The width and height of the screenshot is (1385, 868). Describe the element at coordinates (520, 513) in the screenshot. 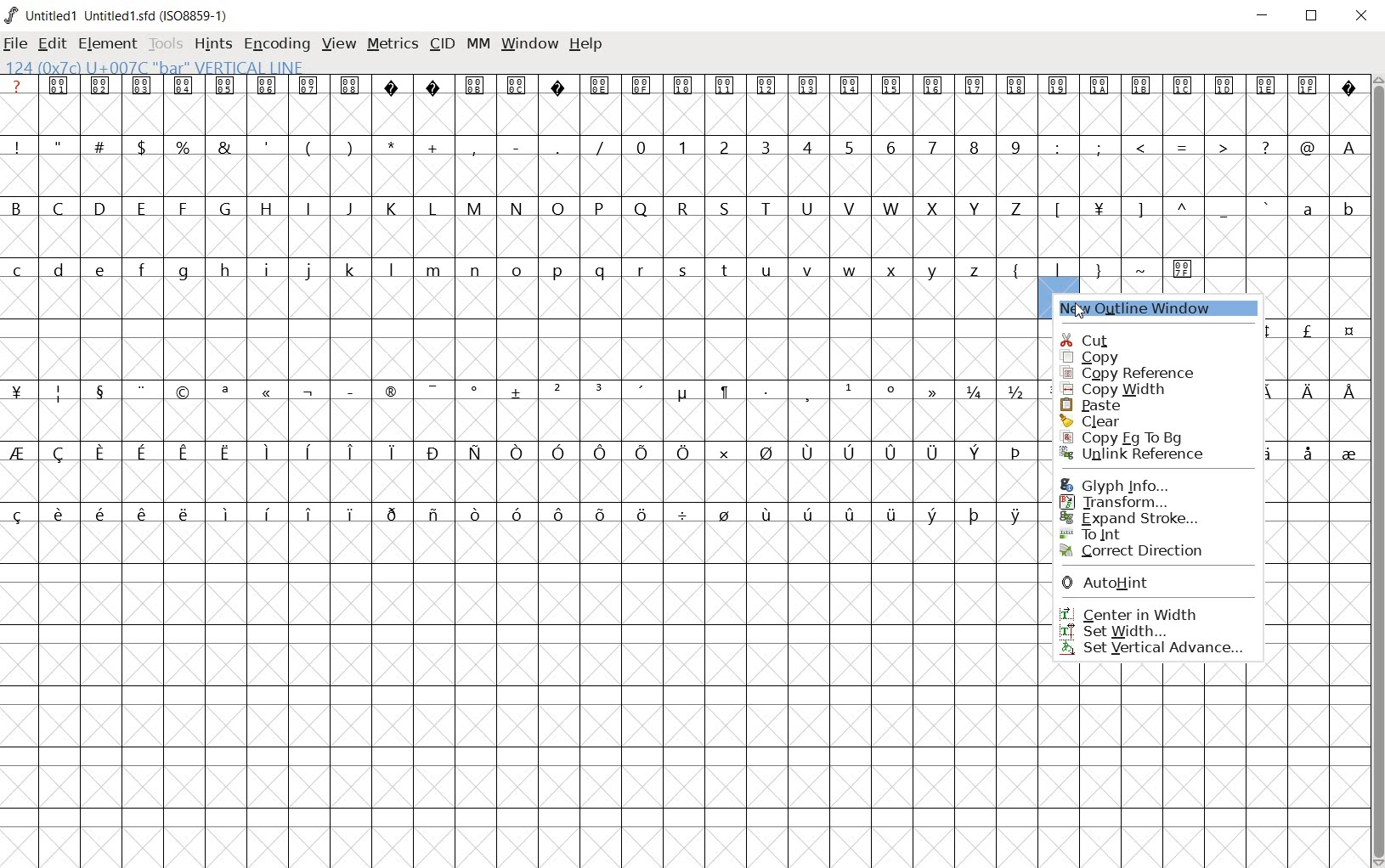

I see `special letters` at that location.